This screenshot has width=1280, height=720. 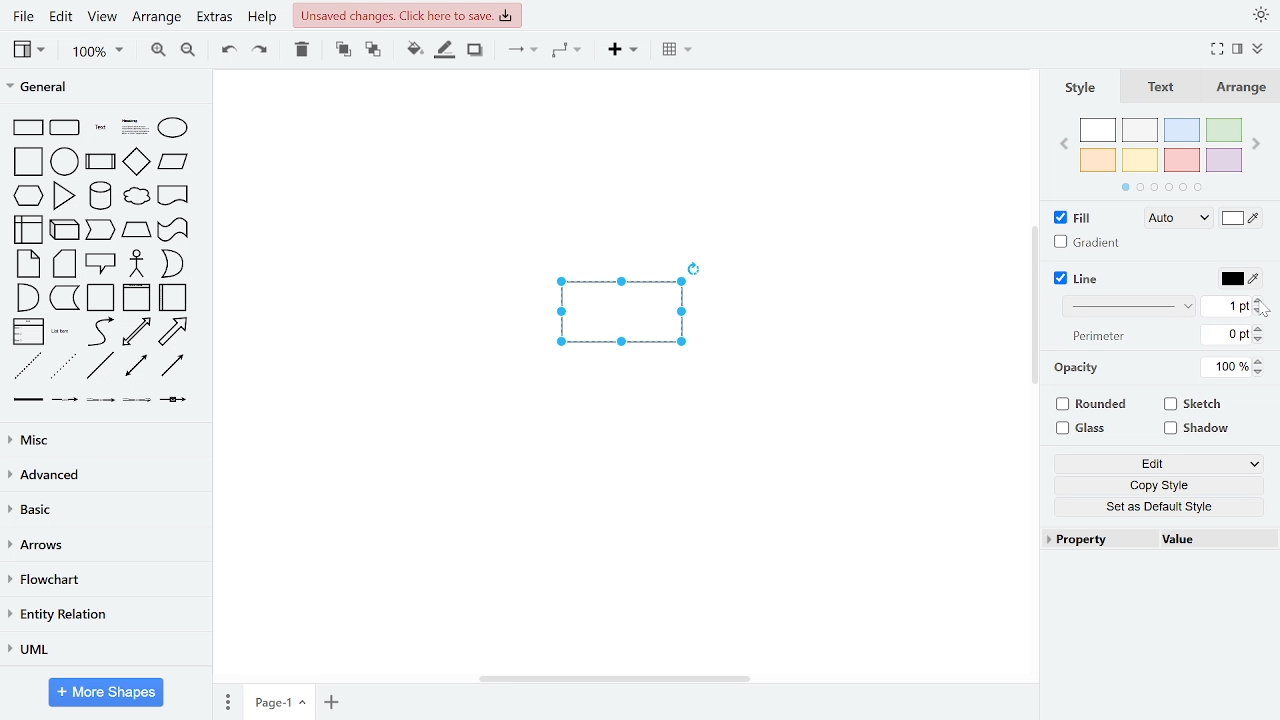 What do you see at coordinates (1259, 339) in the screenshot?
I see `decrease perimeter` at bounding box center [1259, 339].